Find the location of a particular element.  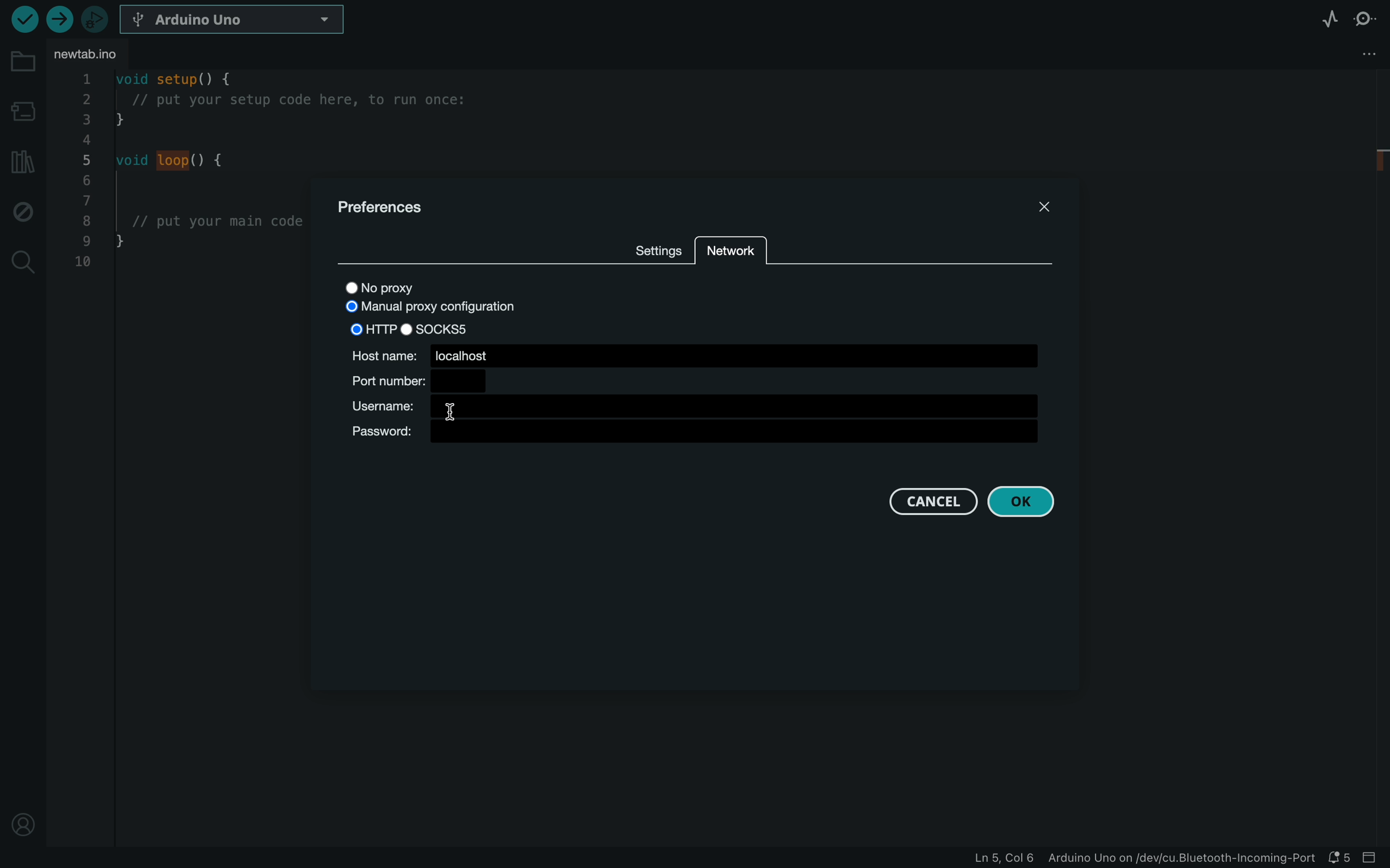

file information is located at coordinates (1142, 859).